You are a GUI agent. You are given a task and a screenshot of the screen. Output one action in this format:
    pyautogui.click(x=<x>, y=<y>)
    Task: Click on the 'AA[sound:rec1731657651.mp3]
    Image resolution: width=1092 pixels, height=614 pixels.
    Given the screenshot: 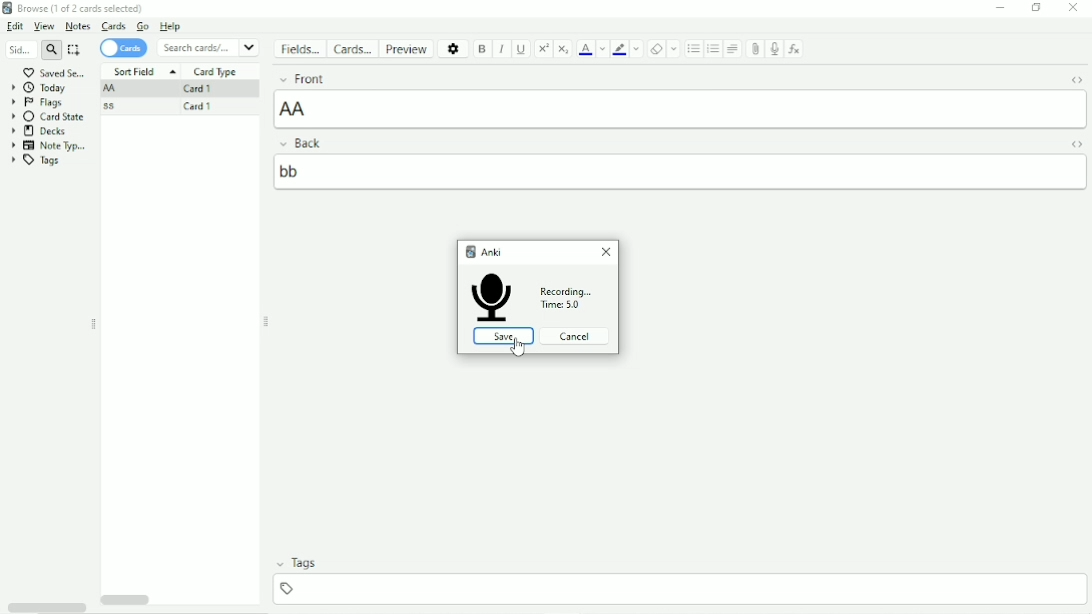 What is the action you would take?
    pyautogui.click(x=680, y=110)
    